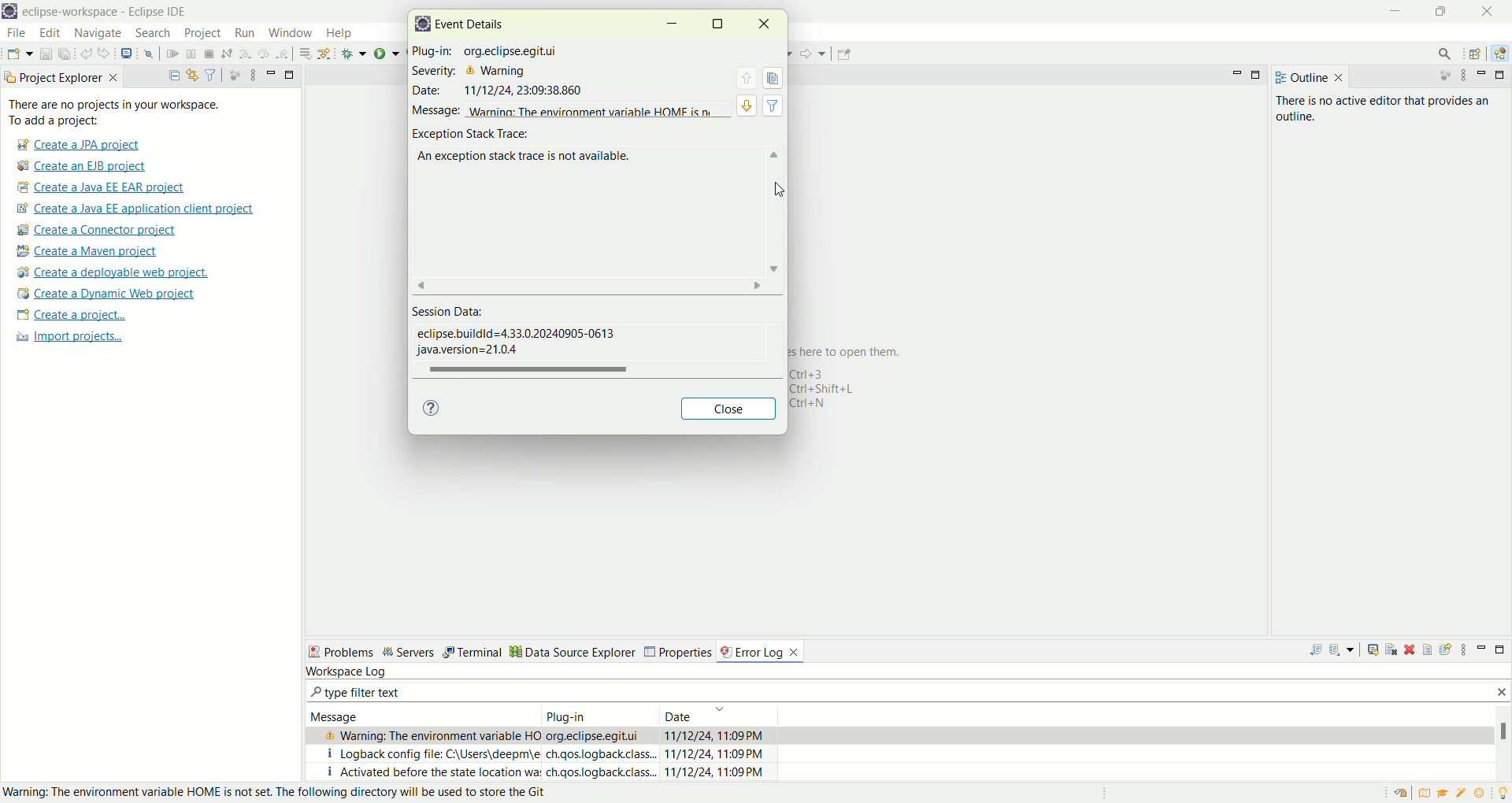 The image size is (1512, 803). What do you see at coordinates (1501, 76) in the screenshot?
I see `maximize` at bounding box center [1501, 76].